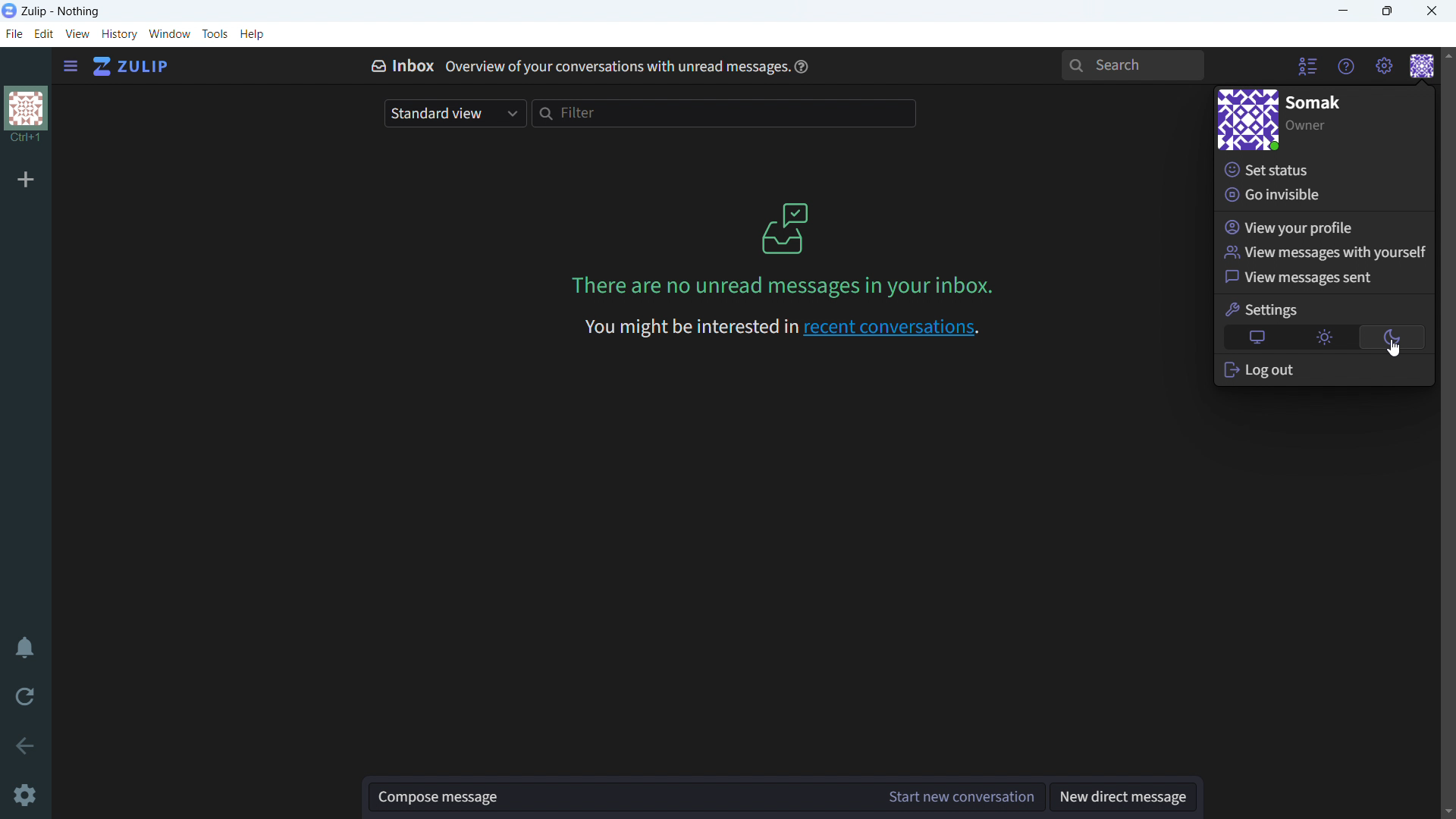 The height and width of the screenshot is (819, 1456). I want to click on filter, so click(723, 114).